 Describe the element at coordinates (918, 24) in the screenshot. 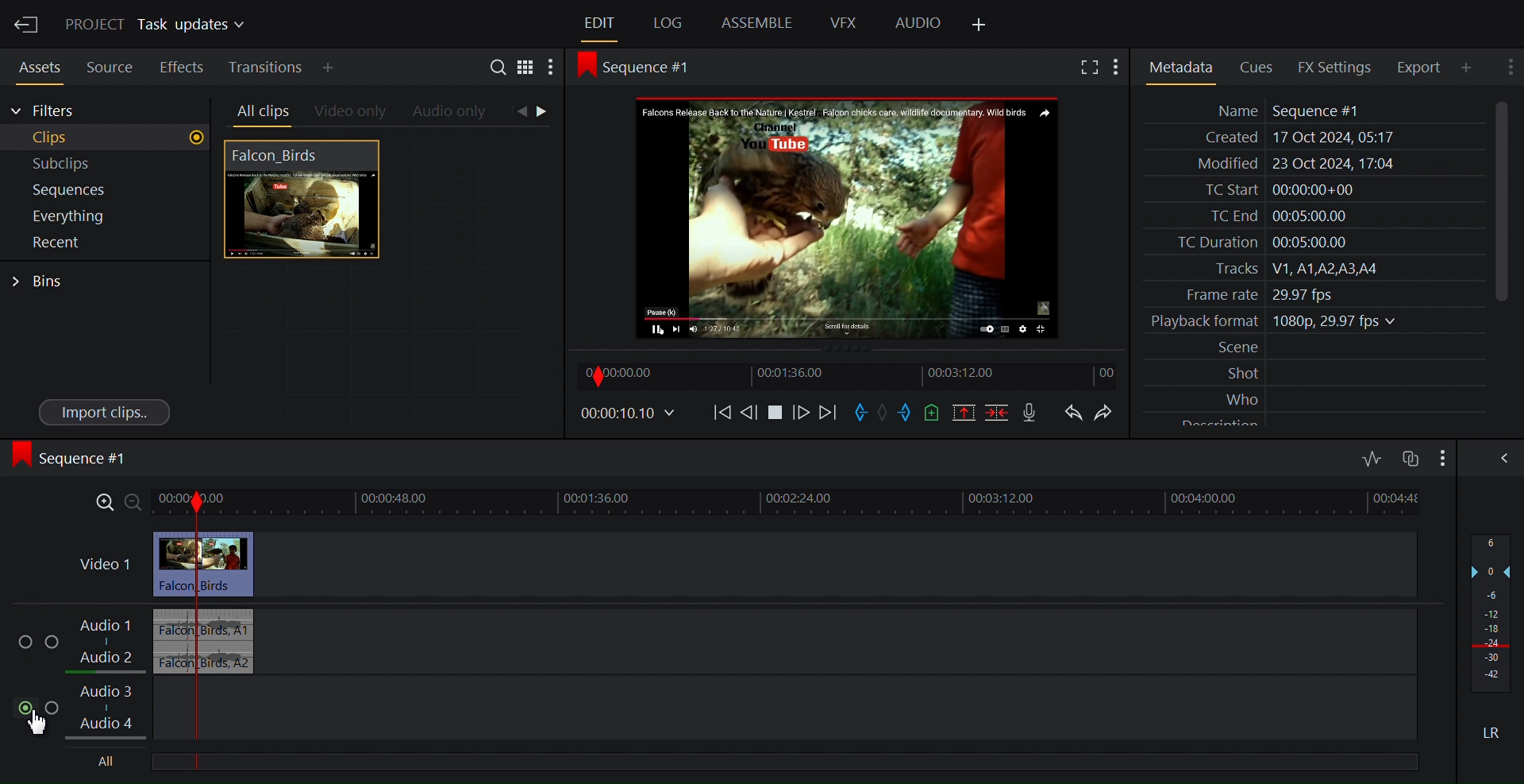

I see `Audio` at that location.